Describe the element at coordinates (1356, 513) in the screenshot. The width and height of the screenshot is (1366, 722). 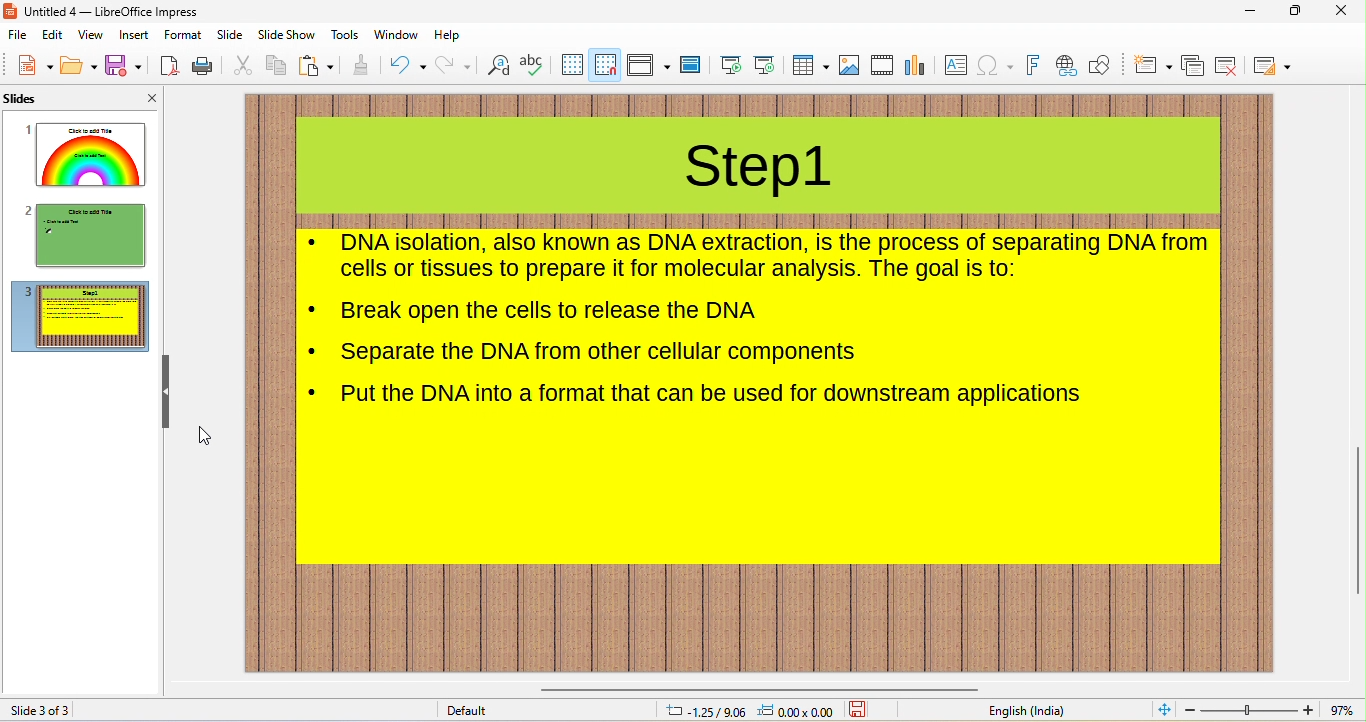
I see `vertical scroll` at that location.